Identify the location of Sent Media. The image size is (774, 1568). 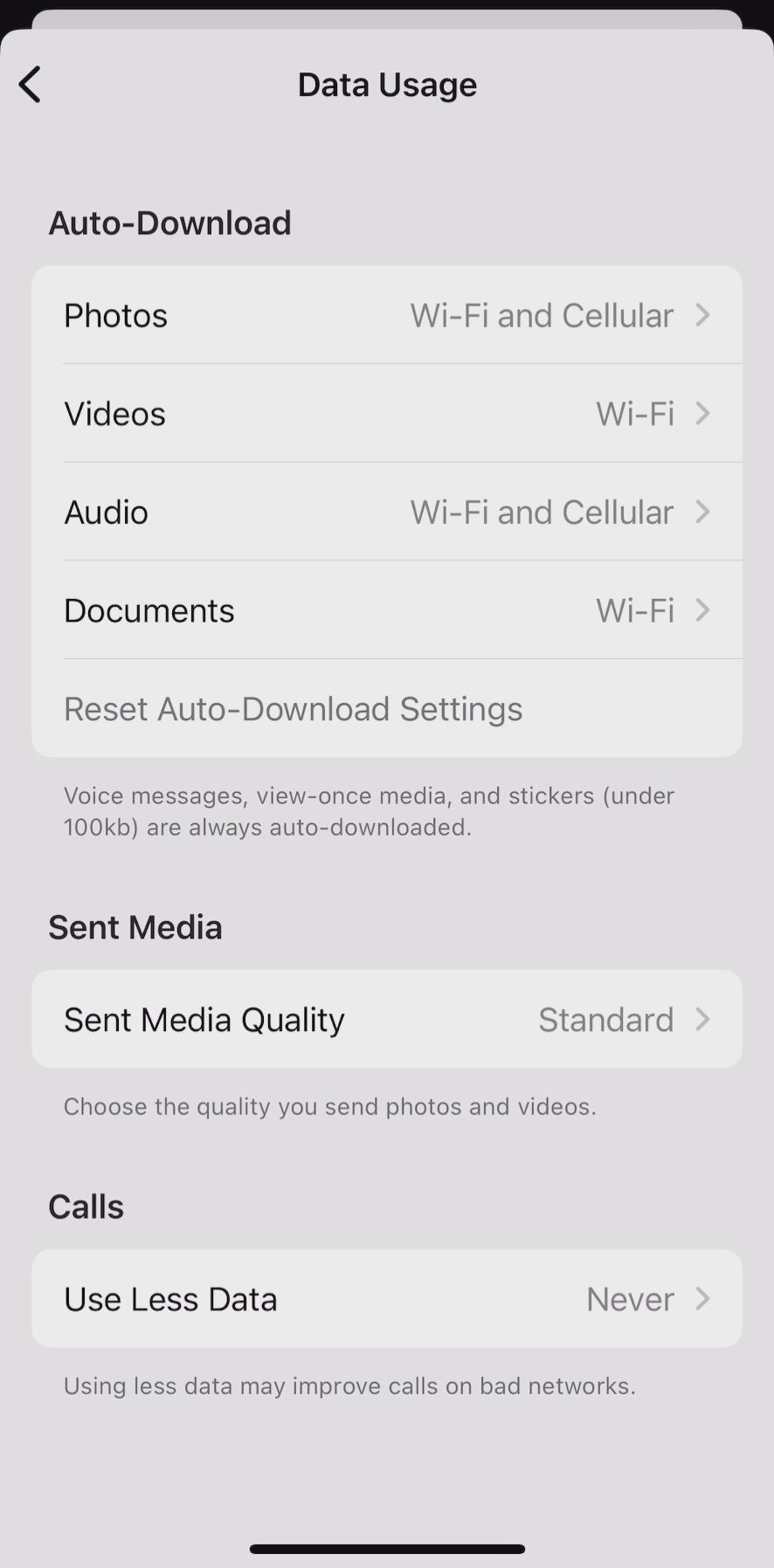
(142, 925).